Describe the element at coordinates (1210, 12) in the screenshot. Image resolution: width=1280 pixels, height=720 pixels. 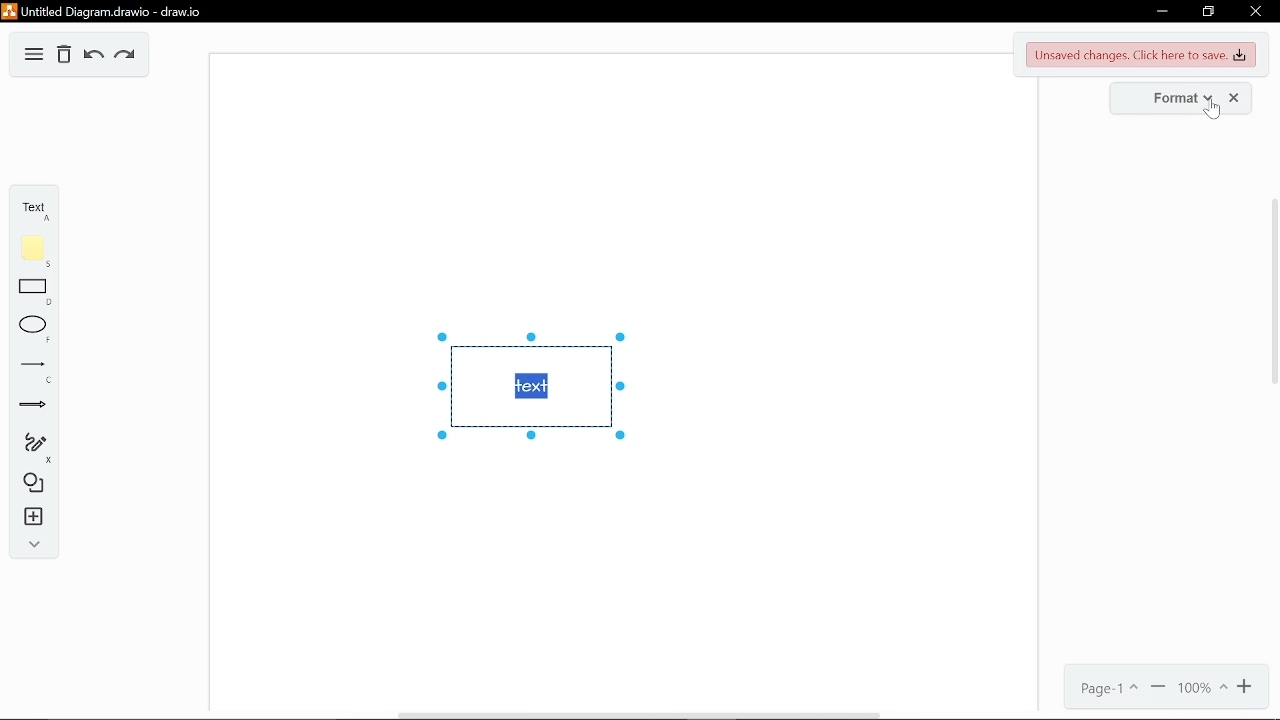
I see `restore down` at that location.